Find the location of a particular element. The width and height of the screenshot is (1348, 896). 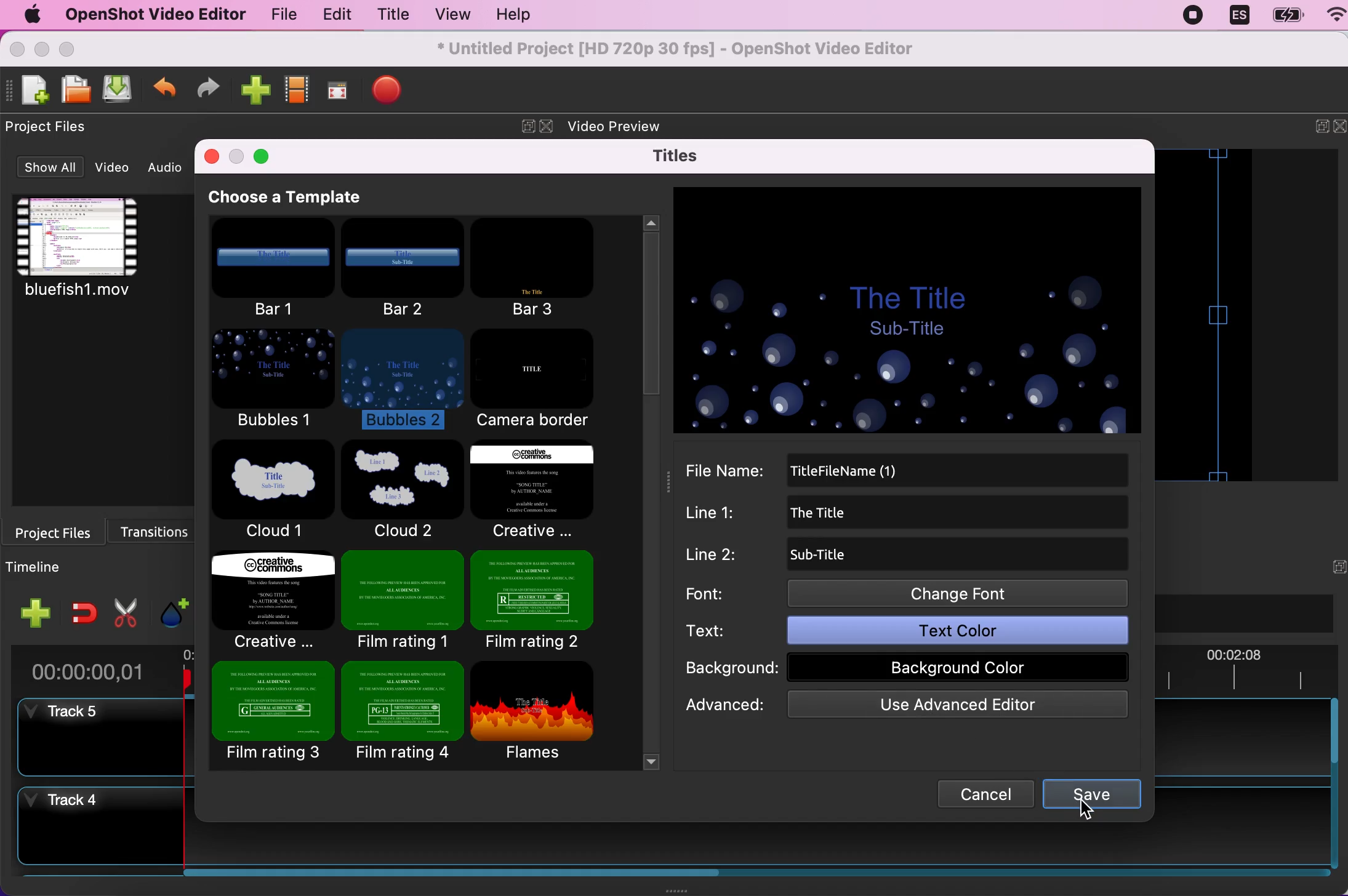

undo is located at coordinates (165, 92).